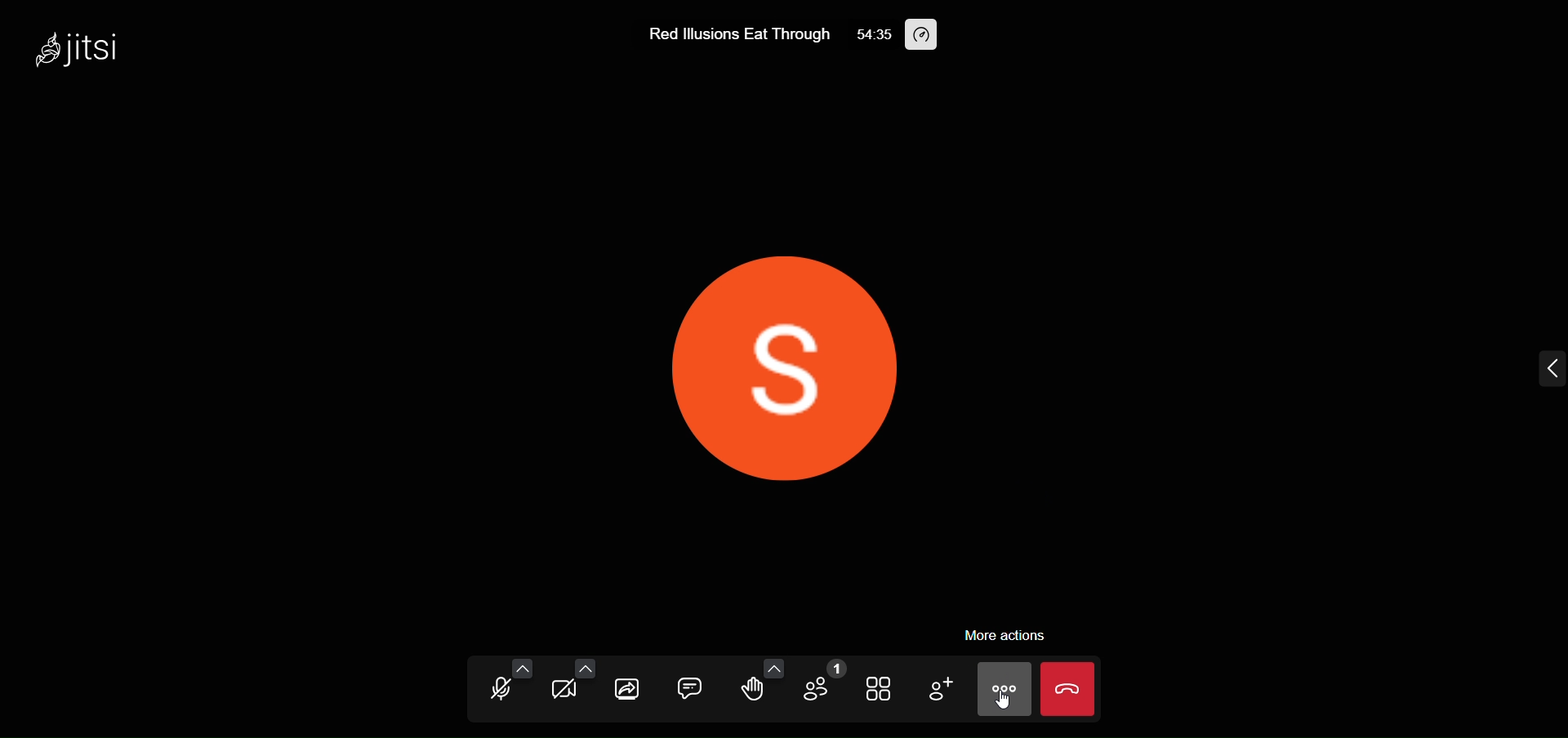 The width and height of the screenshot is (1568, 738). What do you see at coordinates (755, 691) in the screenshot?
I see `raise hand` at bounding box center [755, 691].